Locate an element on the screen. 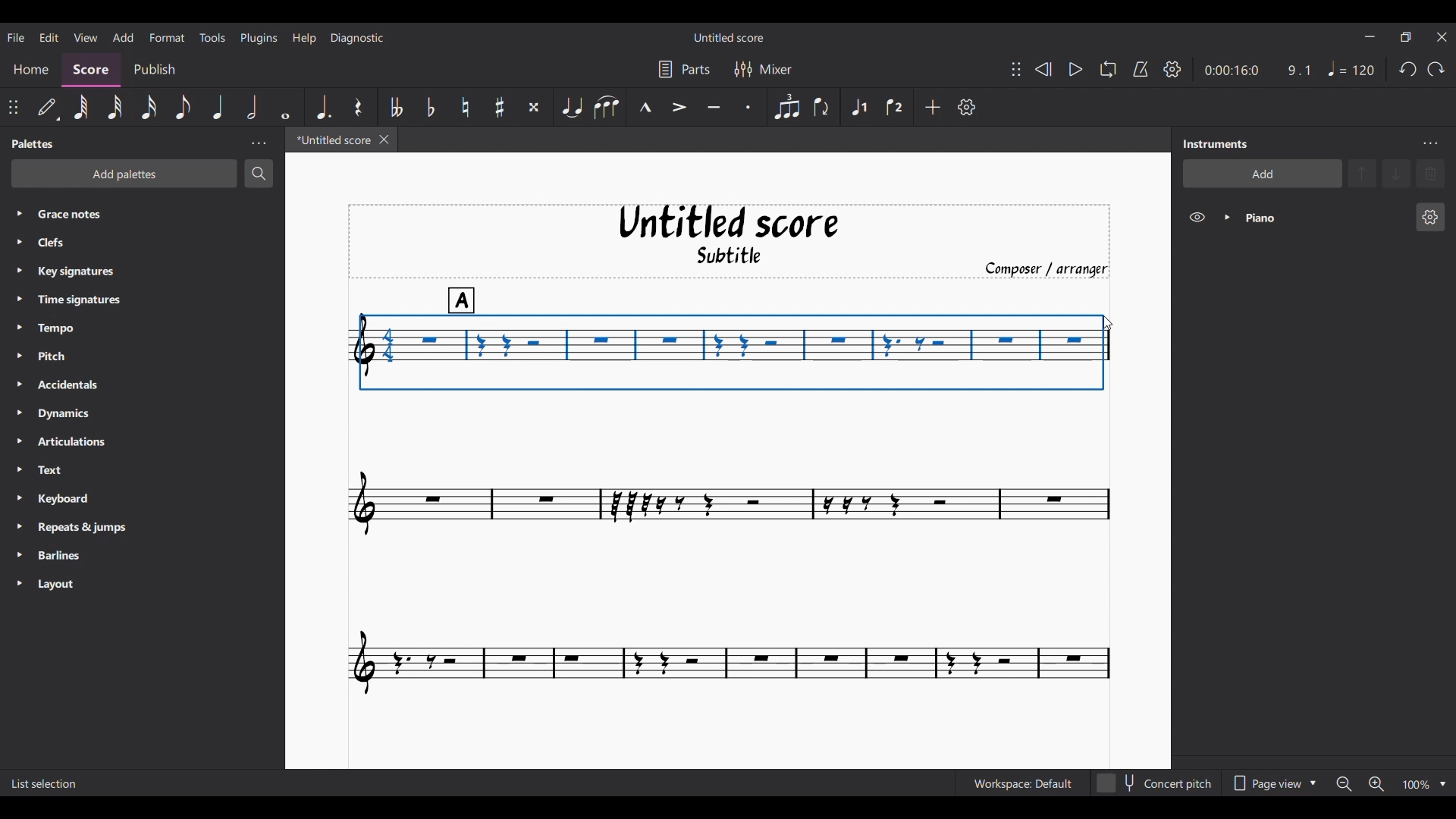 This screenshot has width=1456, height=819. Expand respective palette is located at coordinates (14, 398).